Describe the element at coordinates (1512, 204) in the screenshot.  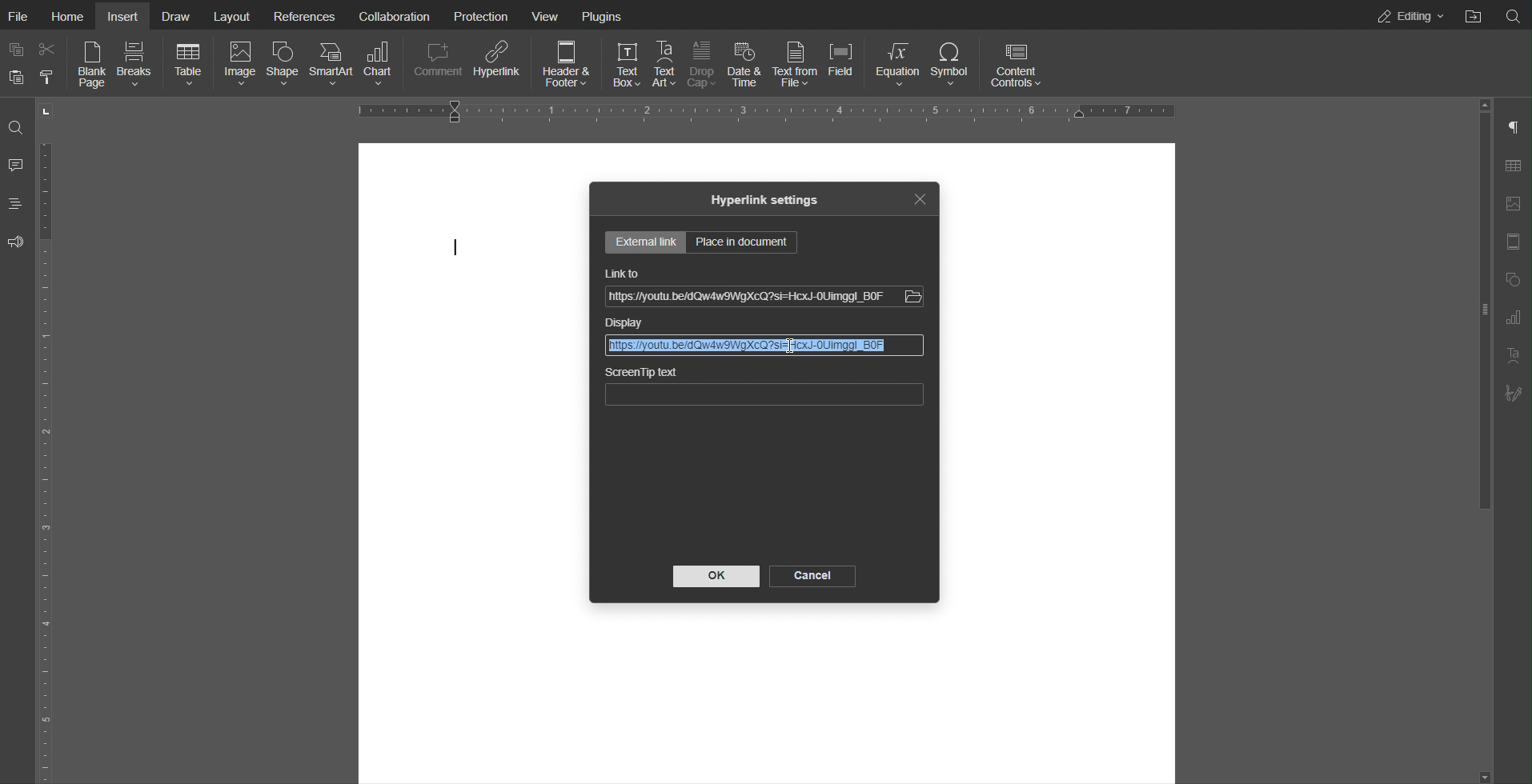
I see `Image Settings` at that location.